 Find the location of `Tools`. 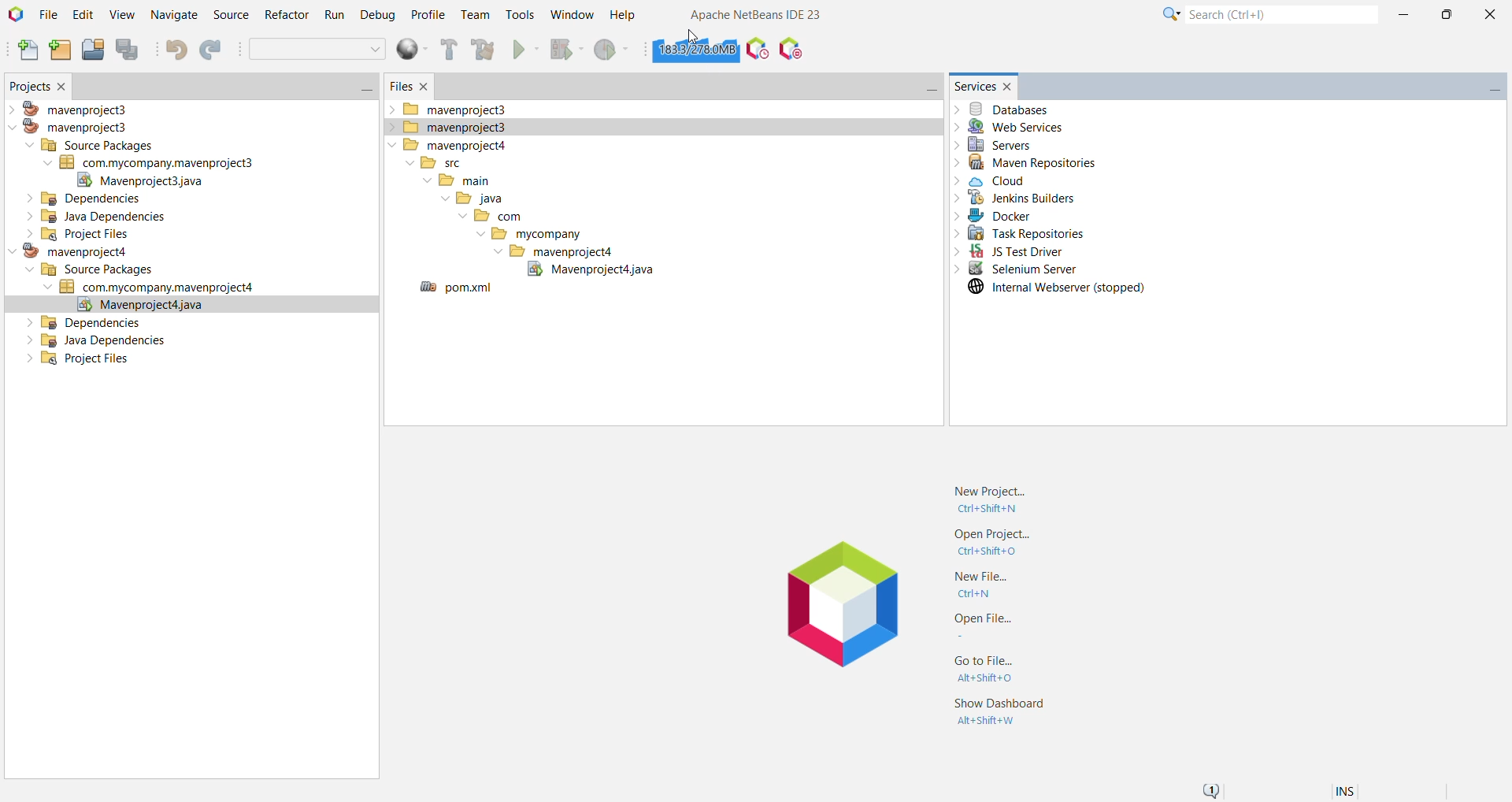

Tools is located at coordinates (520, 13).